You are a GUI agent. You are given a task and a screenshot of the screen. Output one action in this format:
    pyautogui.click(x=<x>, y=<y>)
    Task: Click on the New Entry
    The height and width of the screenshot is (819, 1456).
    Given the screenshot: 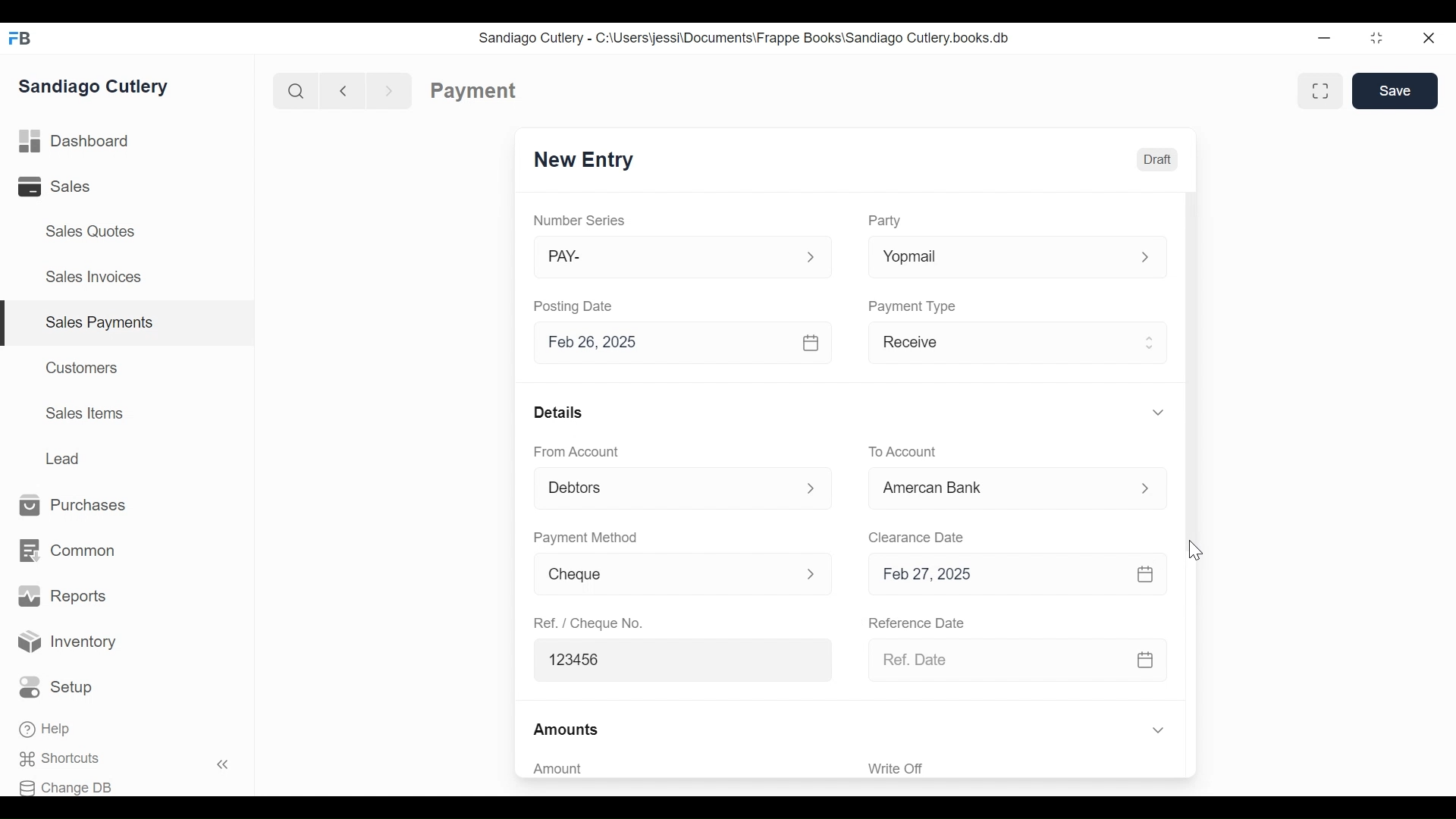 What is the action you would take?
    pyautogui.click(x=584, y=161)
    